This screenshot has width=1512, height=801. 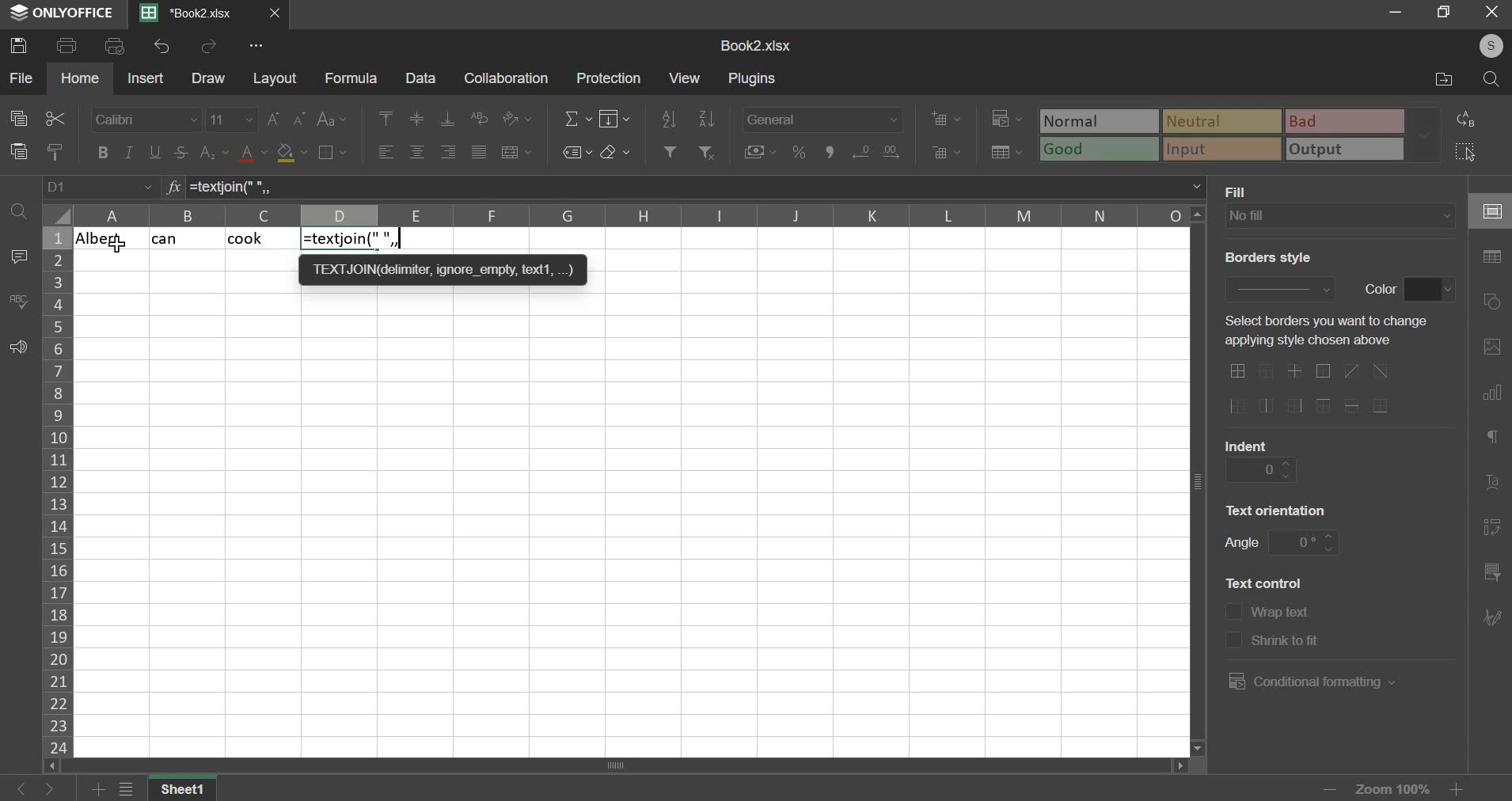 I want to click on underline, so click(x=156, y=152).